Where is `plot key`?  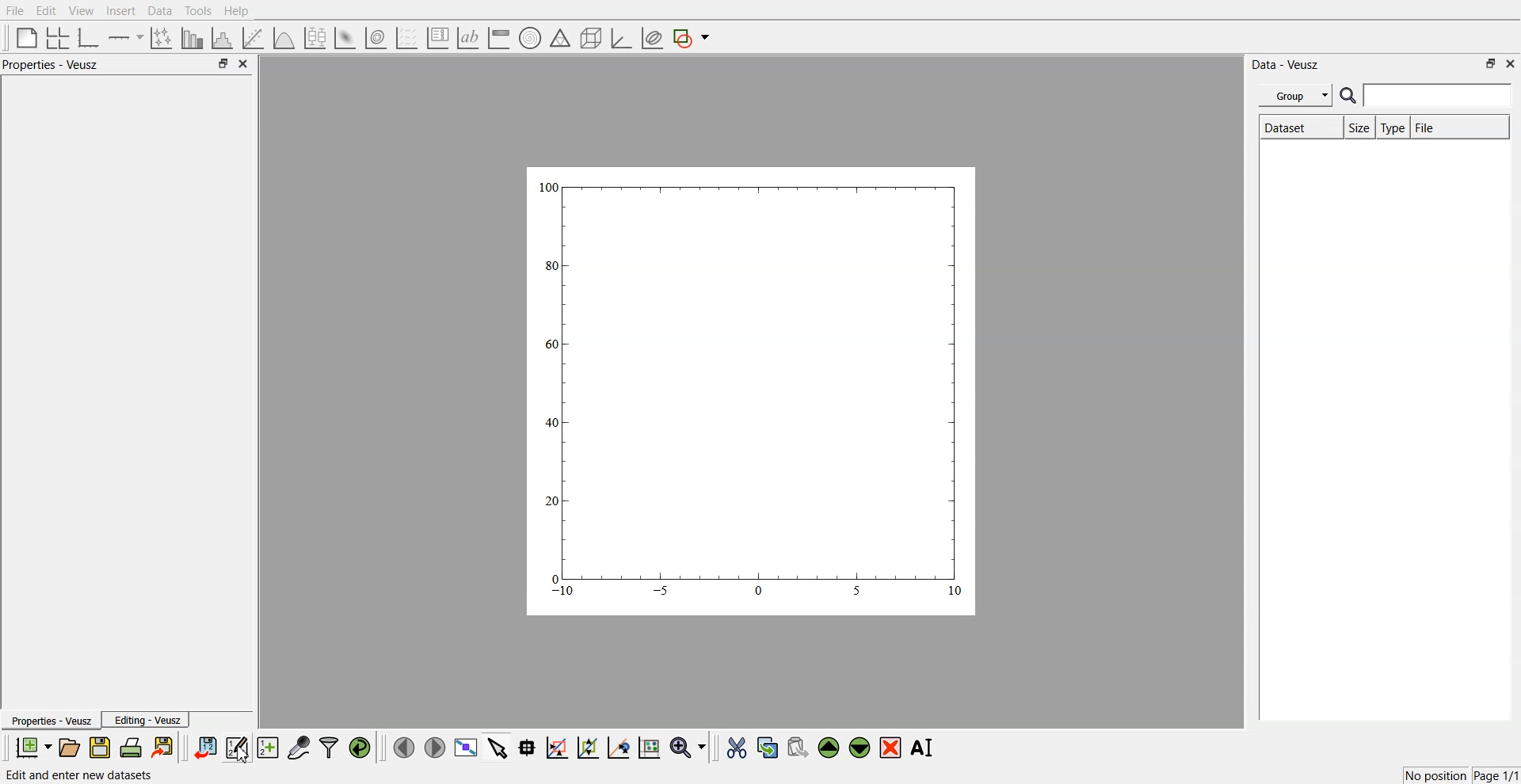 plot key is located at coordinates (437, 38).